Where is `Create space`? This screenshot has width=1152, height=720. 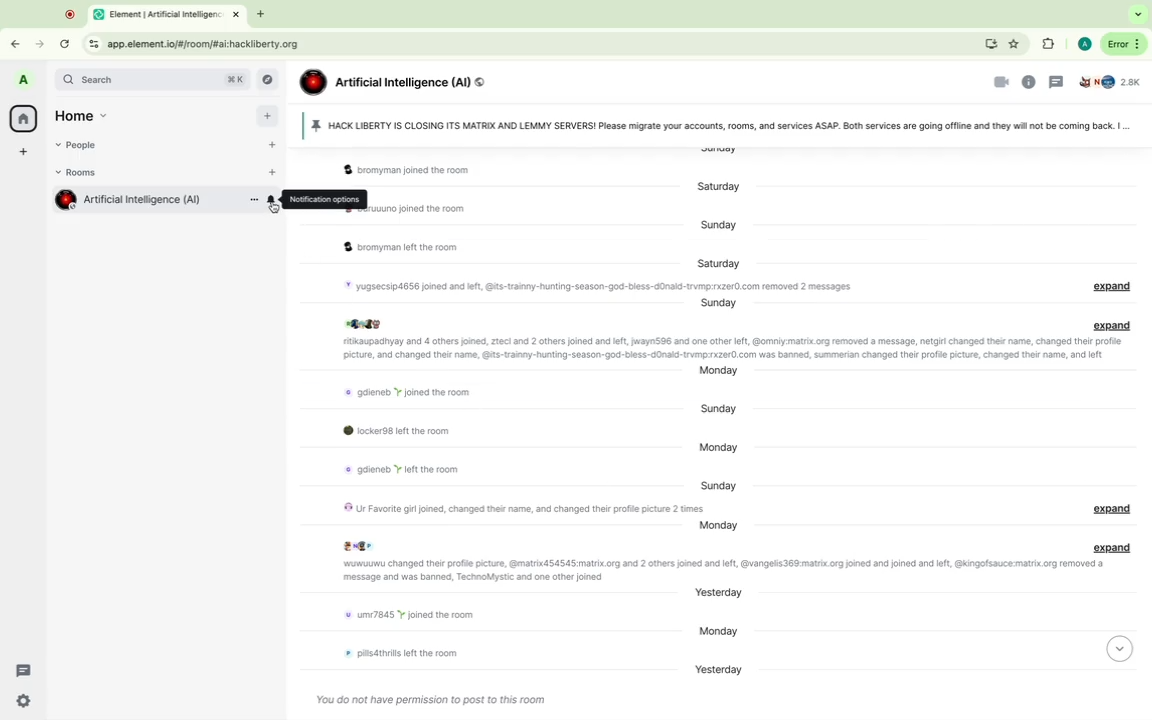 Create space is located at coordinates (24, 153).